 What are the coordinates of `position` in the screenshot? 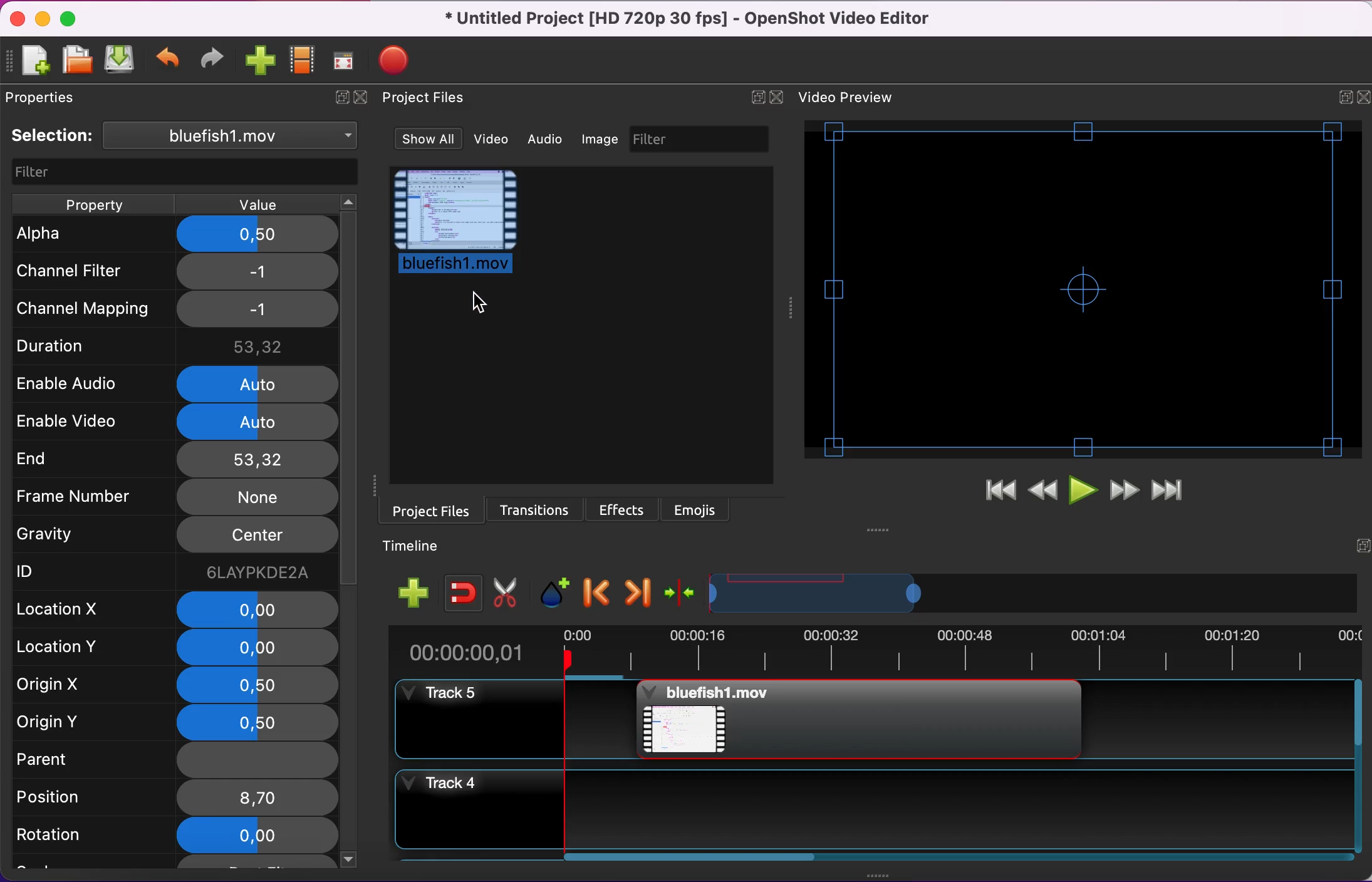 It's located at (66, 799).